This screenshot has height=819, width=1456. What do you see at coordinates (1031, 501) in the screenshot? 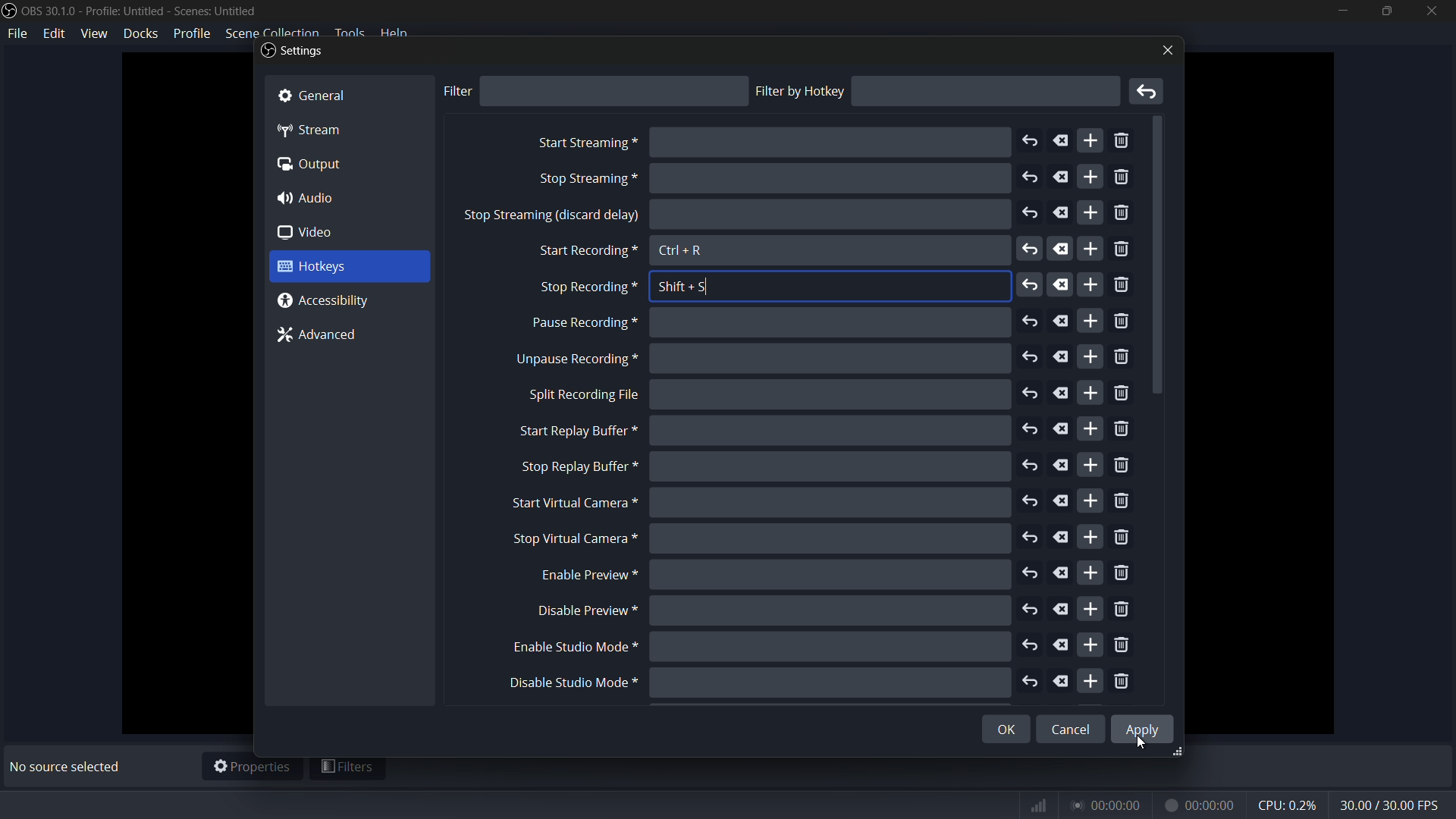
I see `undo` at bounding box center [1031, 501].